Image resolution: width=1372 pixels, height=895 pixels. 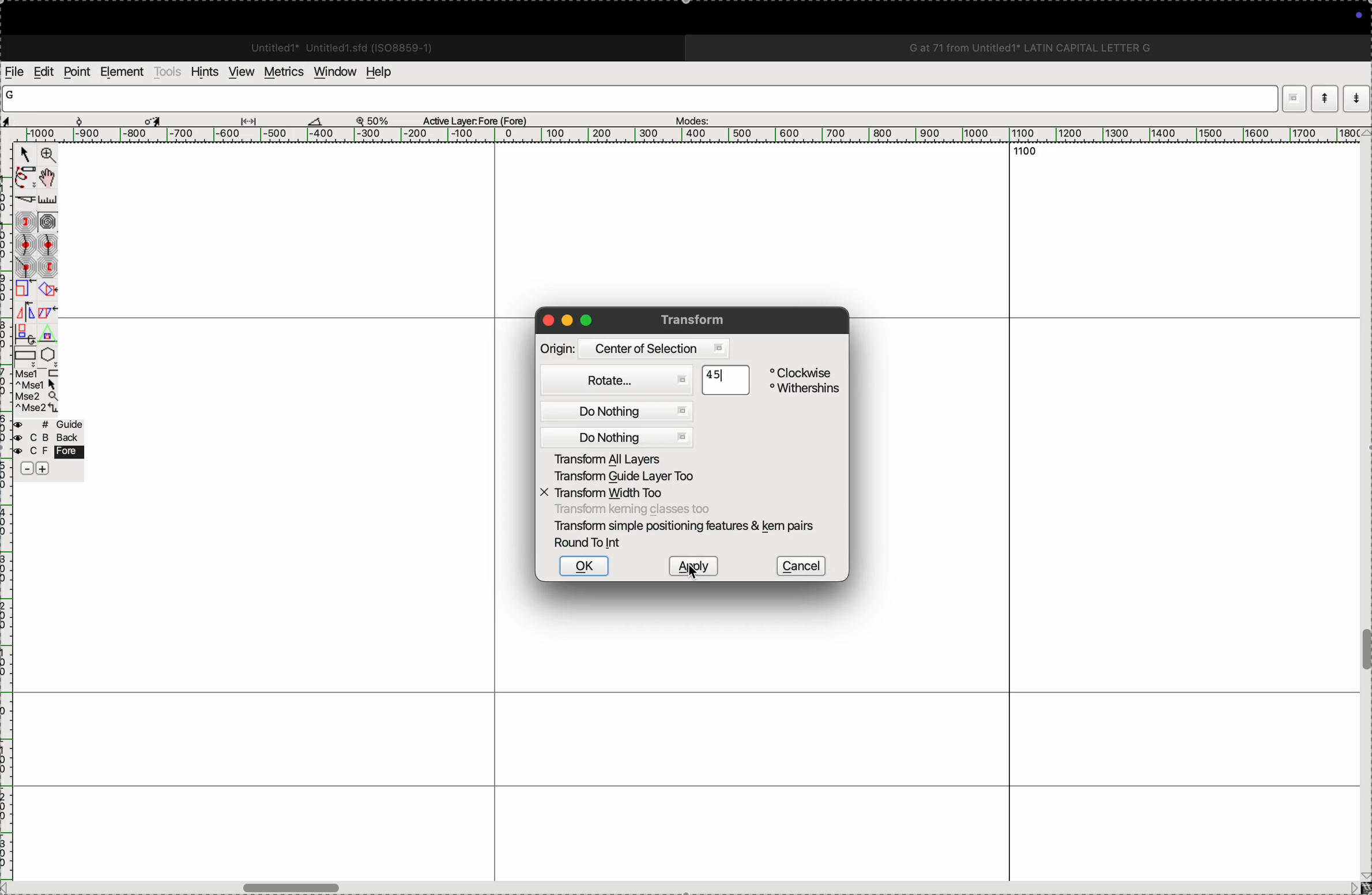 I want to click on horizontal scrollbar, so click(x=677, y=885).